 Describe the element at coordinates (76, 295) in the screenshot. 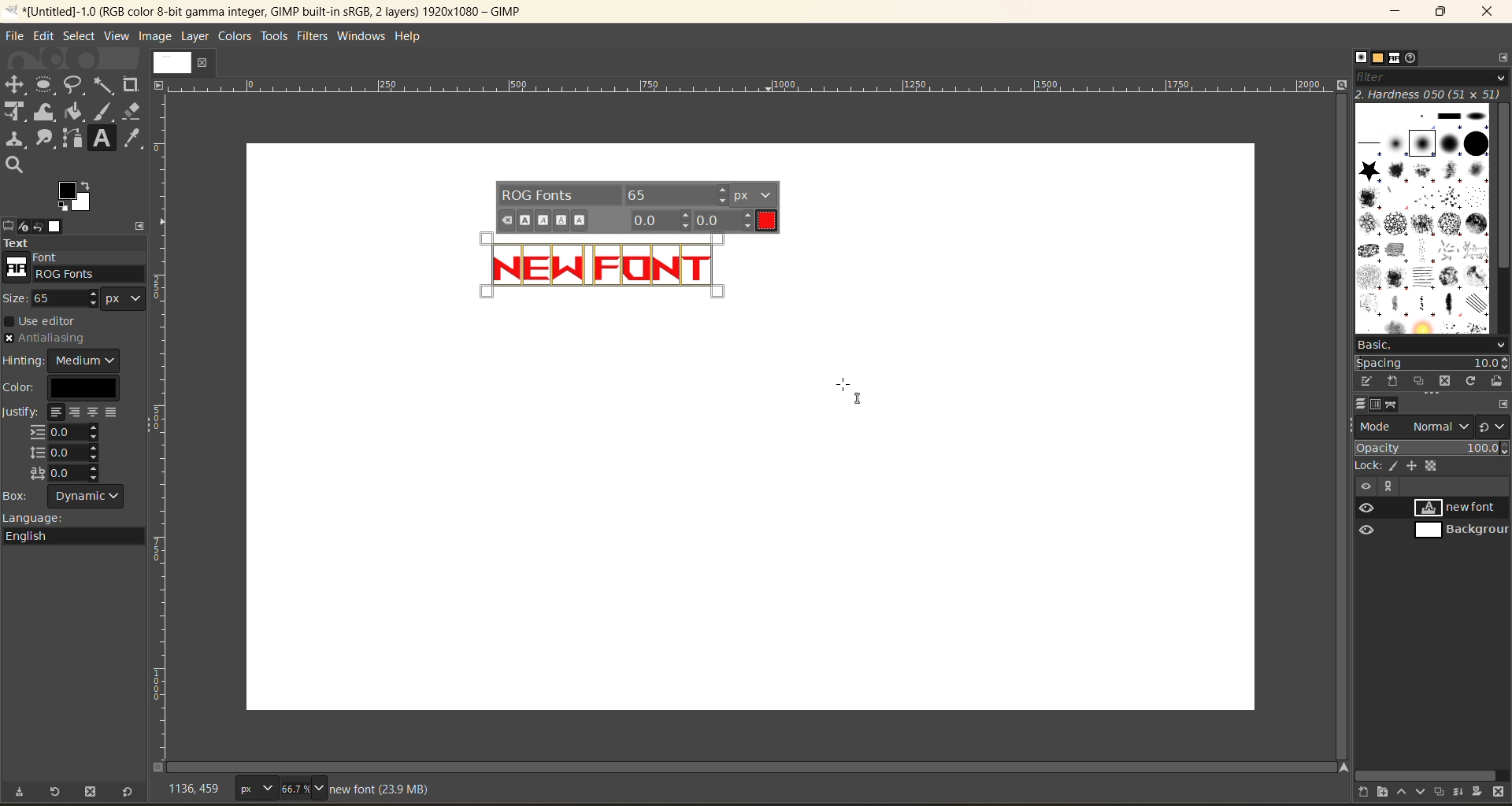

I see `size` at that location.